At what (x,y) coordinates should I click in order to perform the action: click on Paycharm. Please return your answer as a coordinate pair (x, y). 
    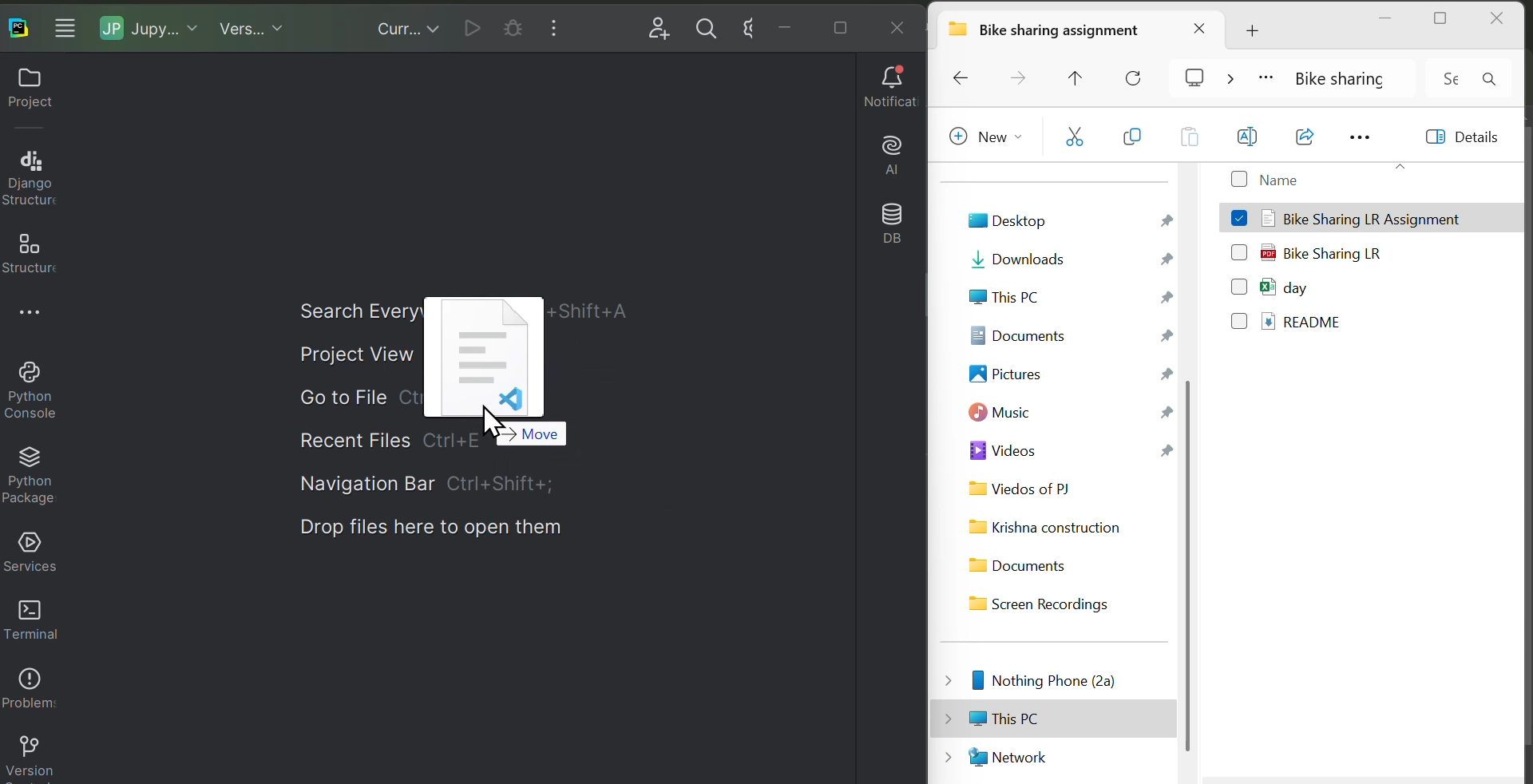
    Looking at the image, I should click on (20, 26).